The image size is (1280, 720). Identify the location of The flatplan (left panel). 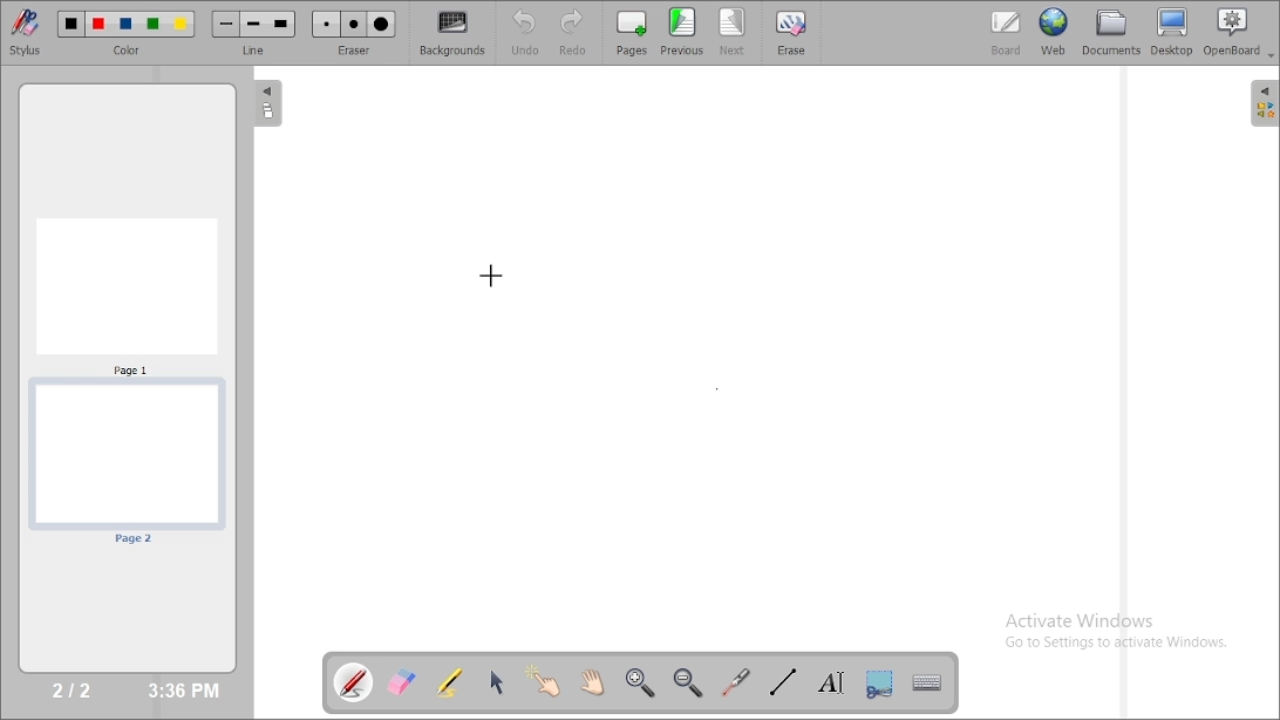
(266, 105).